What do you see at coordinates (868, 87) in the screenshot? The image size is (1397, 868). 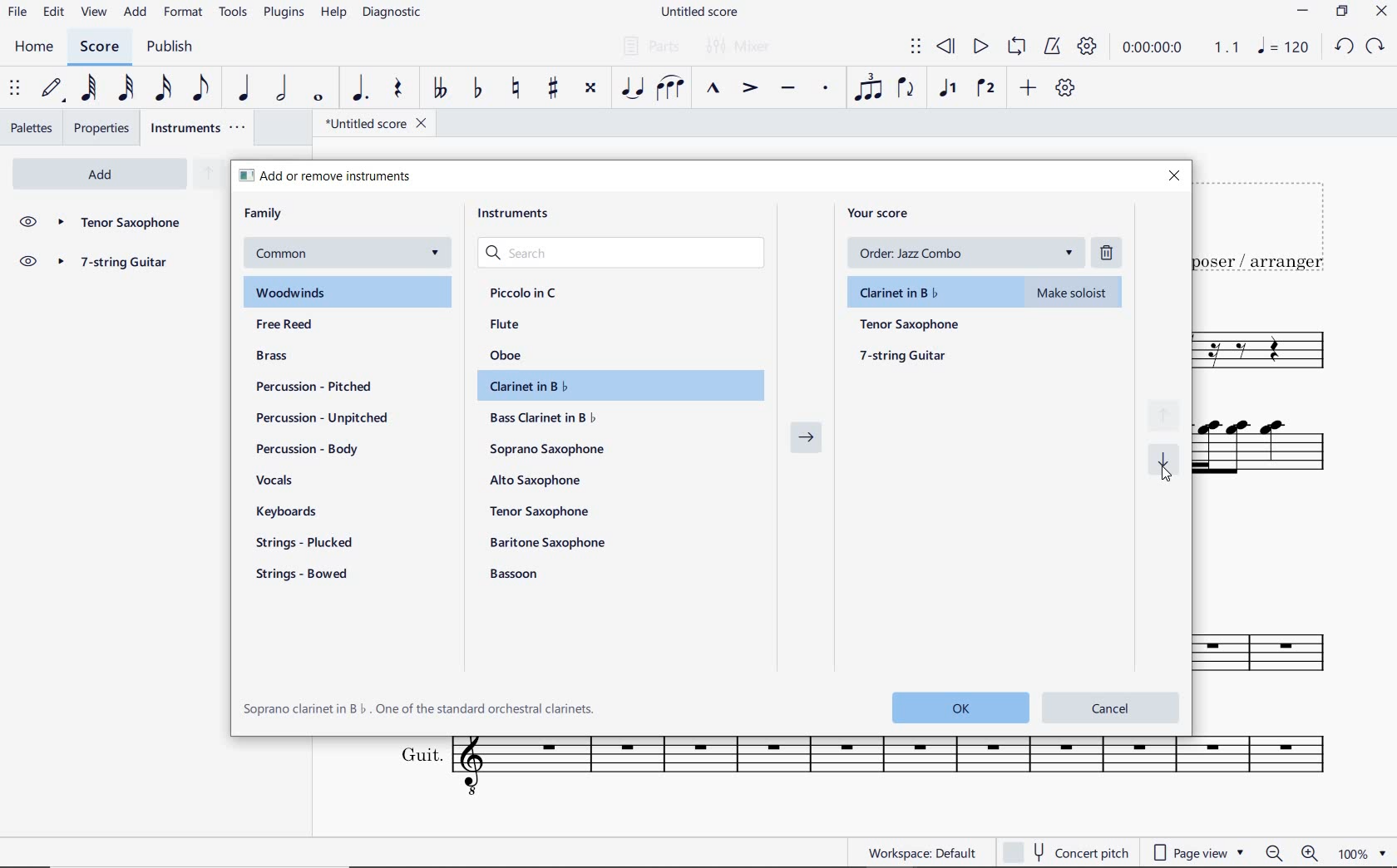 I see `TUPLET` at bounding box center [868, 87].